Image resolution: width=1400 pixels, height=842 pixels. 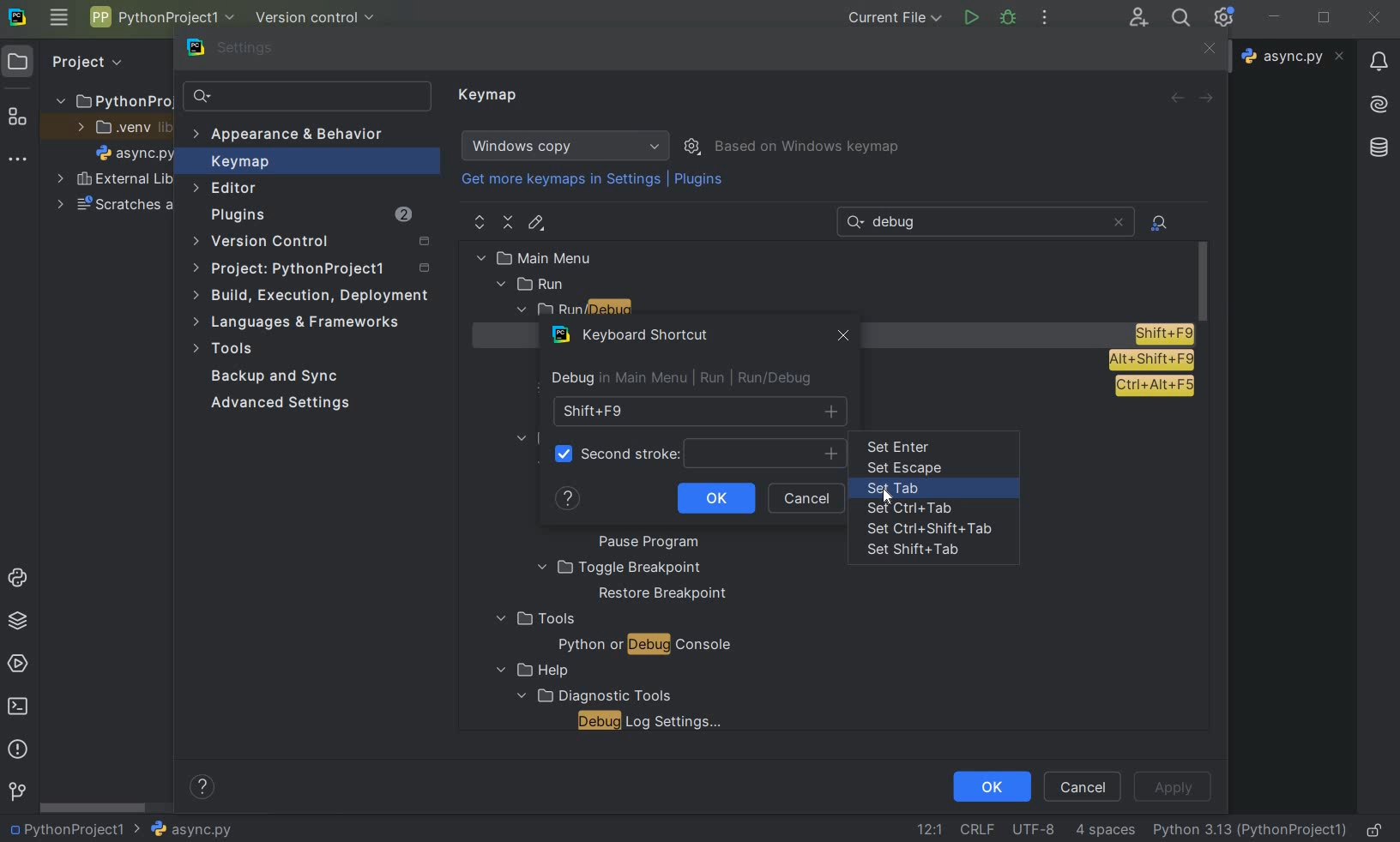 What do you see at coordinates (763, 378) in the screenshot?
I see `run/debug` at bounding box center [763, 378].